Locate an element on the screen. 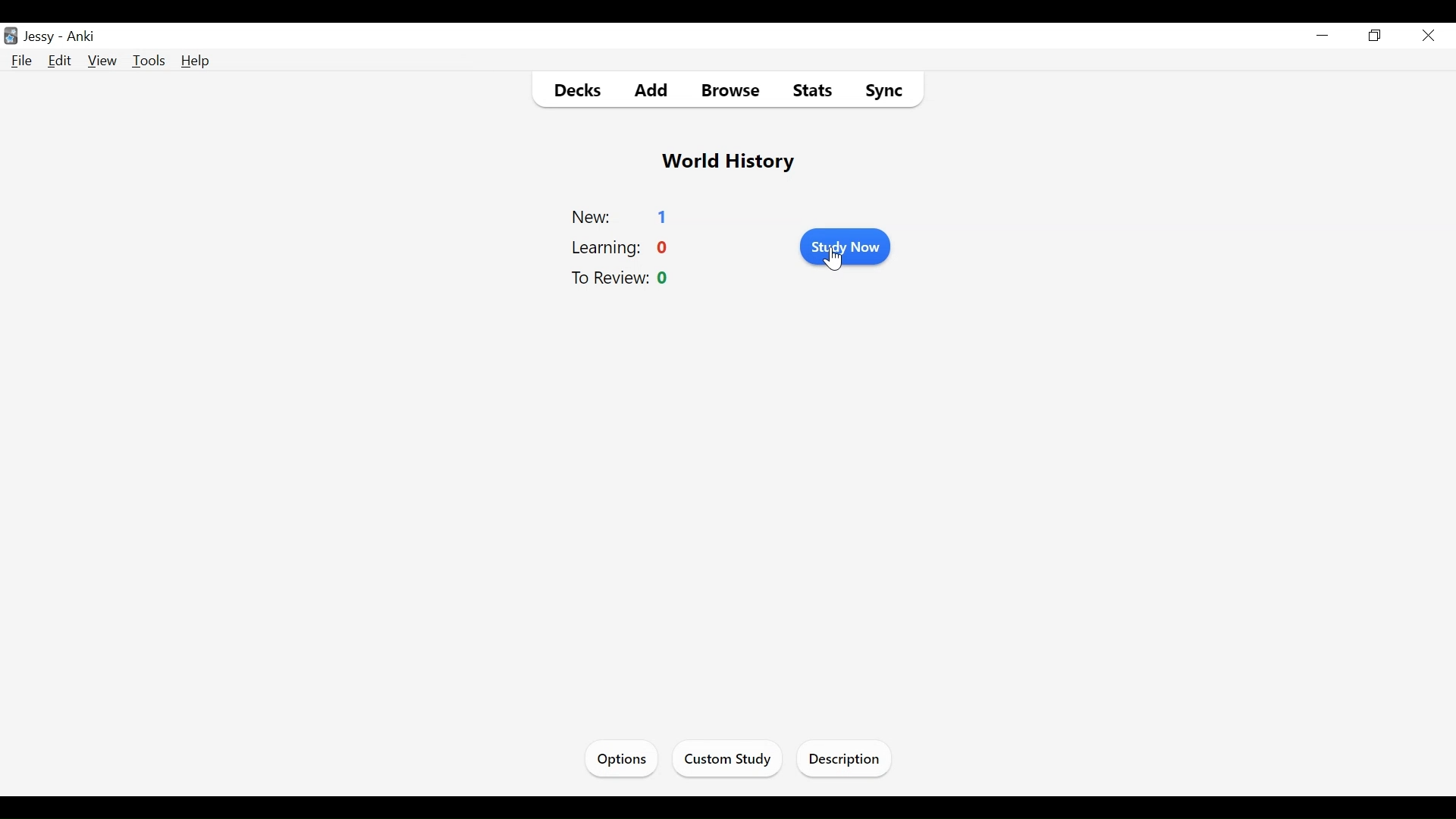 This screenshot has height=819, width=1456. Custom Study is located at coordinates (727, 758).